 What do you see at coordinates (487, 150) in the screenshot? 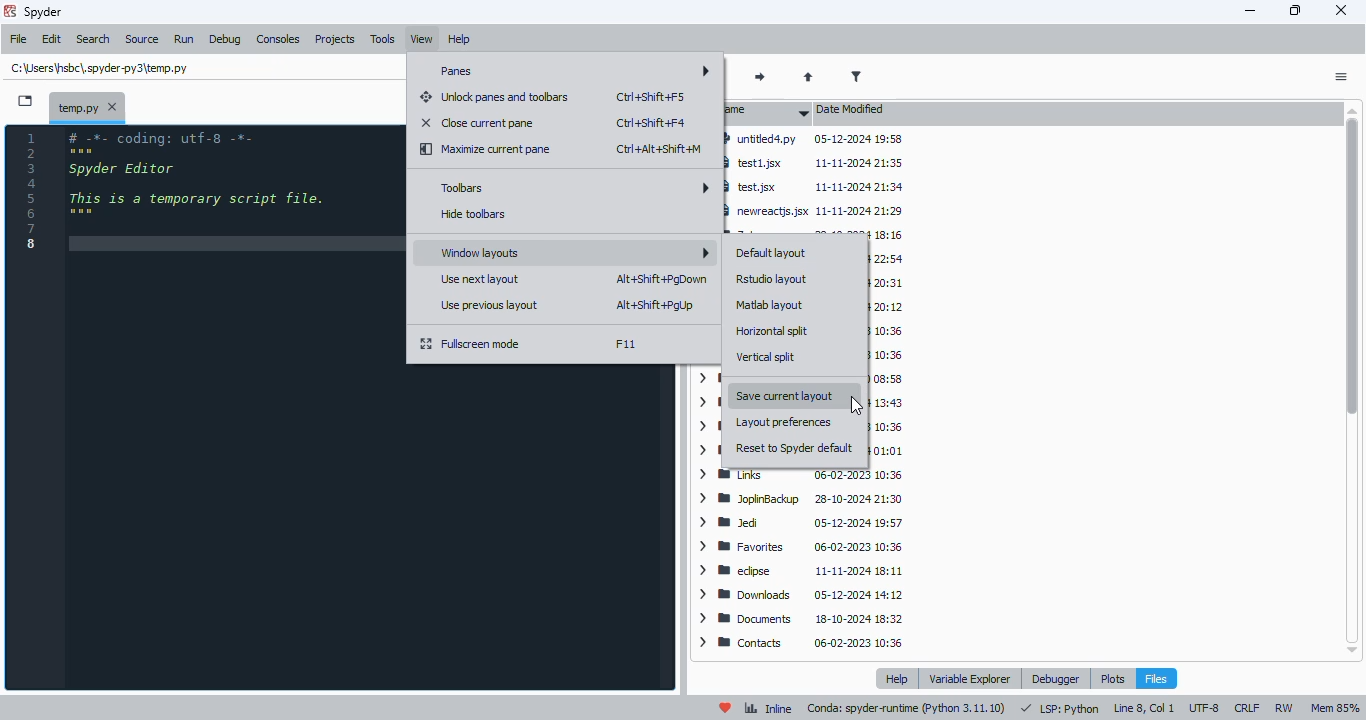
I see `maximize current pane` at bounding box center [487, 150].